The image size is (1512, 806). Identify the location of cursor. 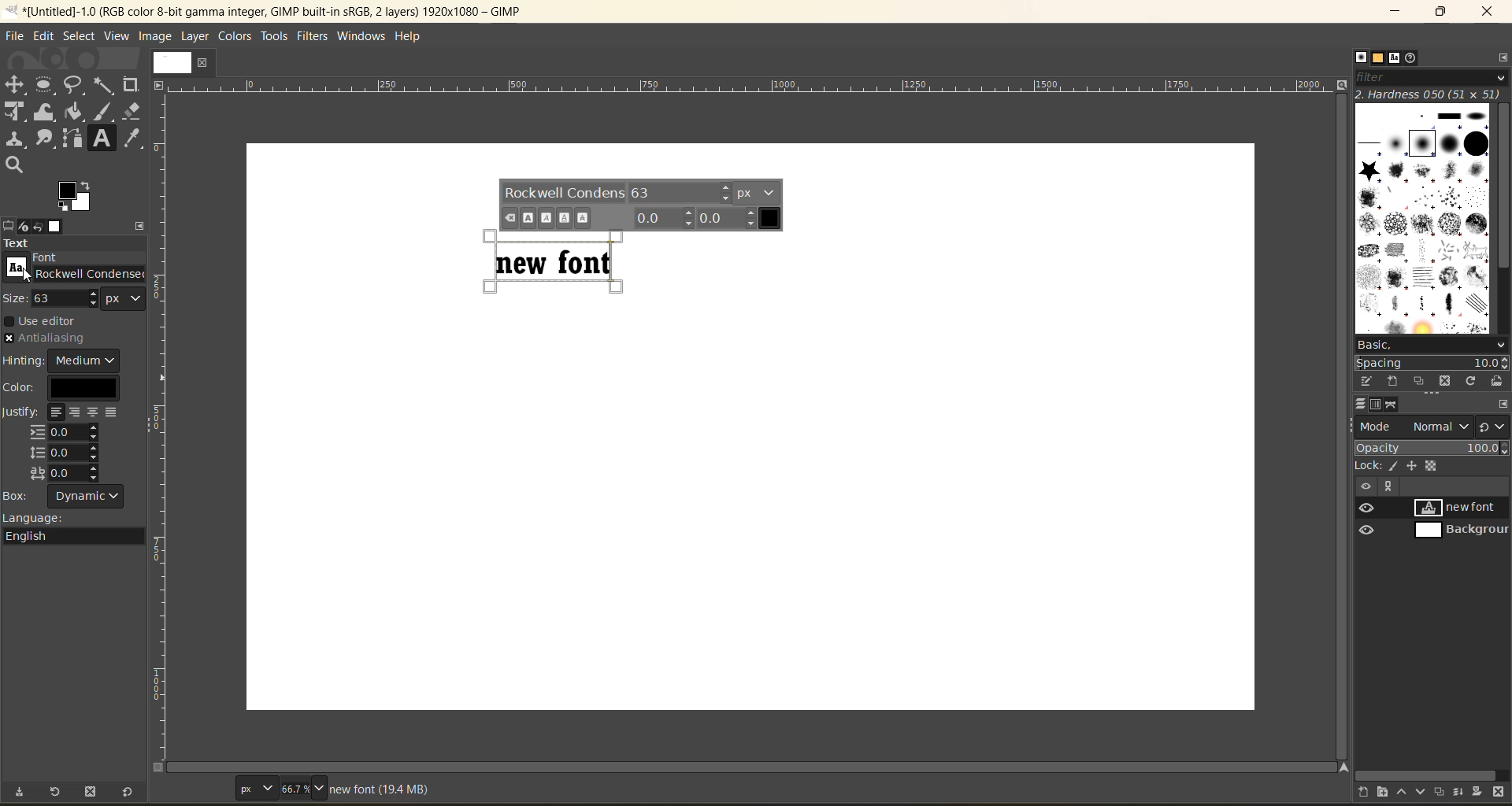
(26, 277).